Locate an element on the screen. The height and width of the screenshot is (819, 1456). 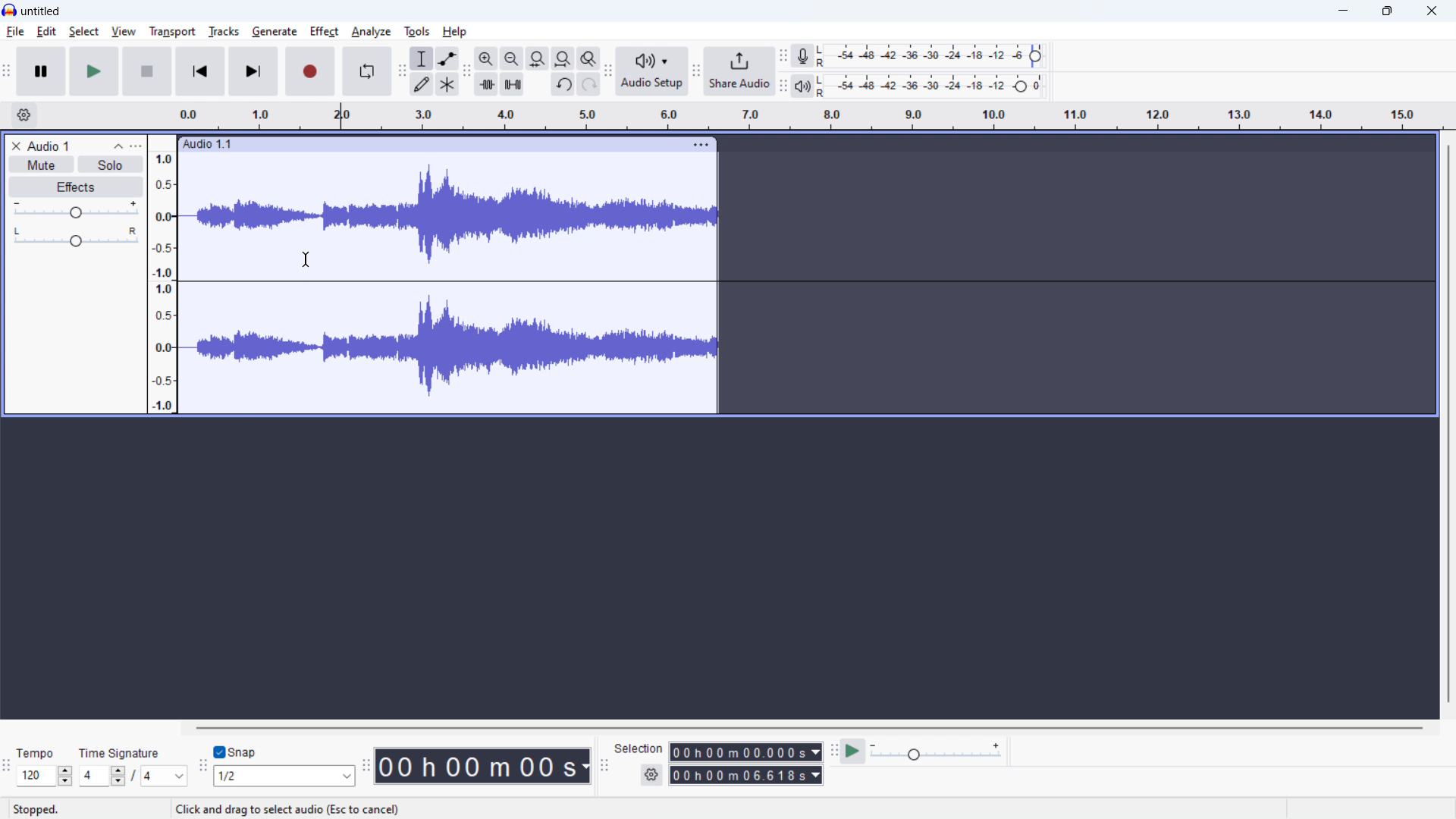
playback speed is located at coordinates (936, 752).